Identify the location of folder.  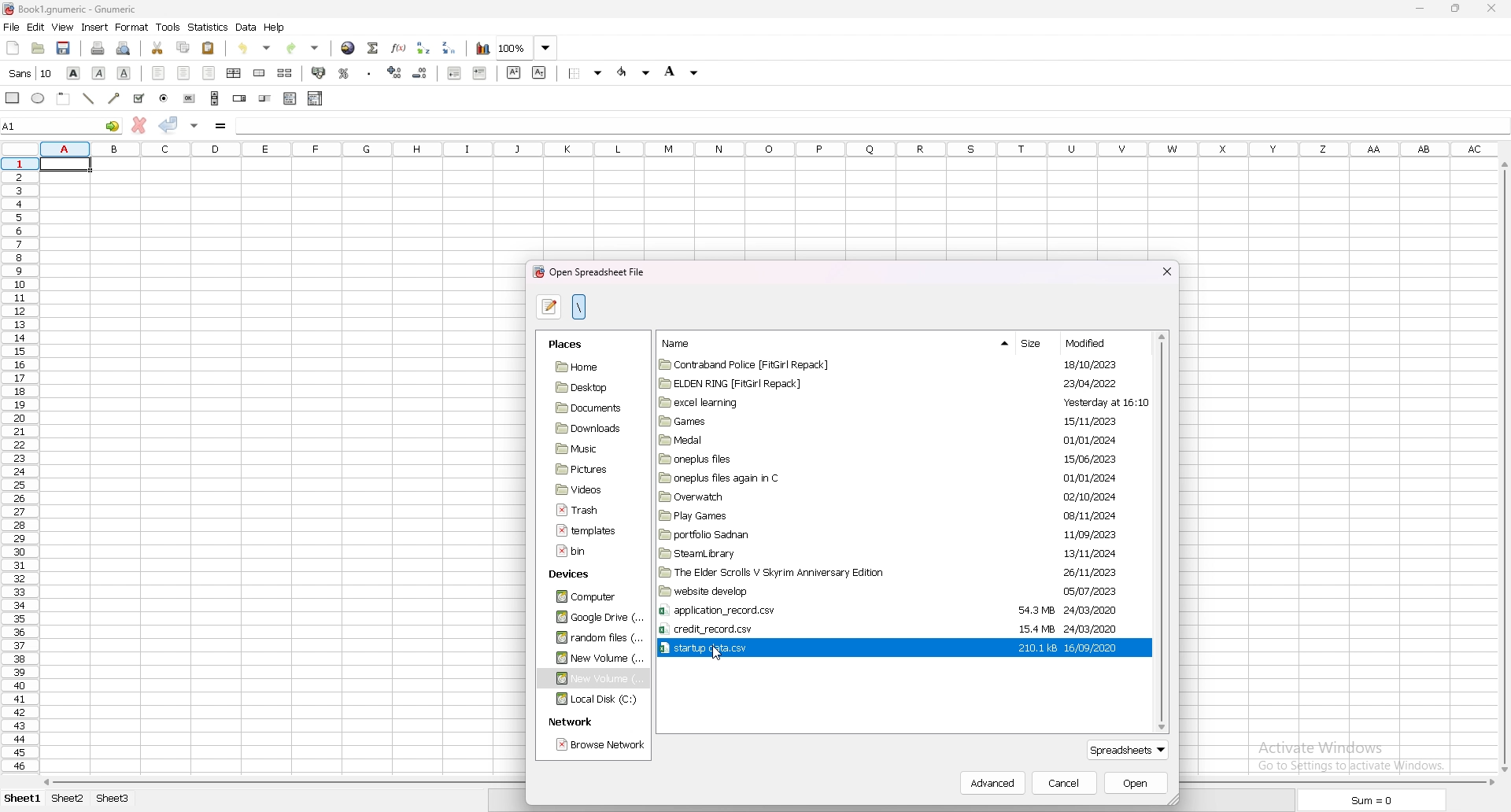
(585, 448).